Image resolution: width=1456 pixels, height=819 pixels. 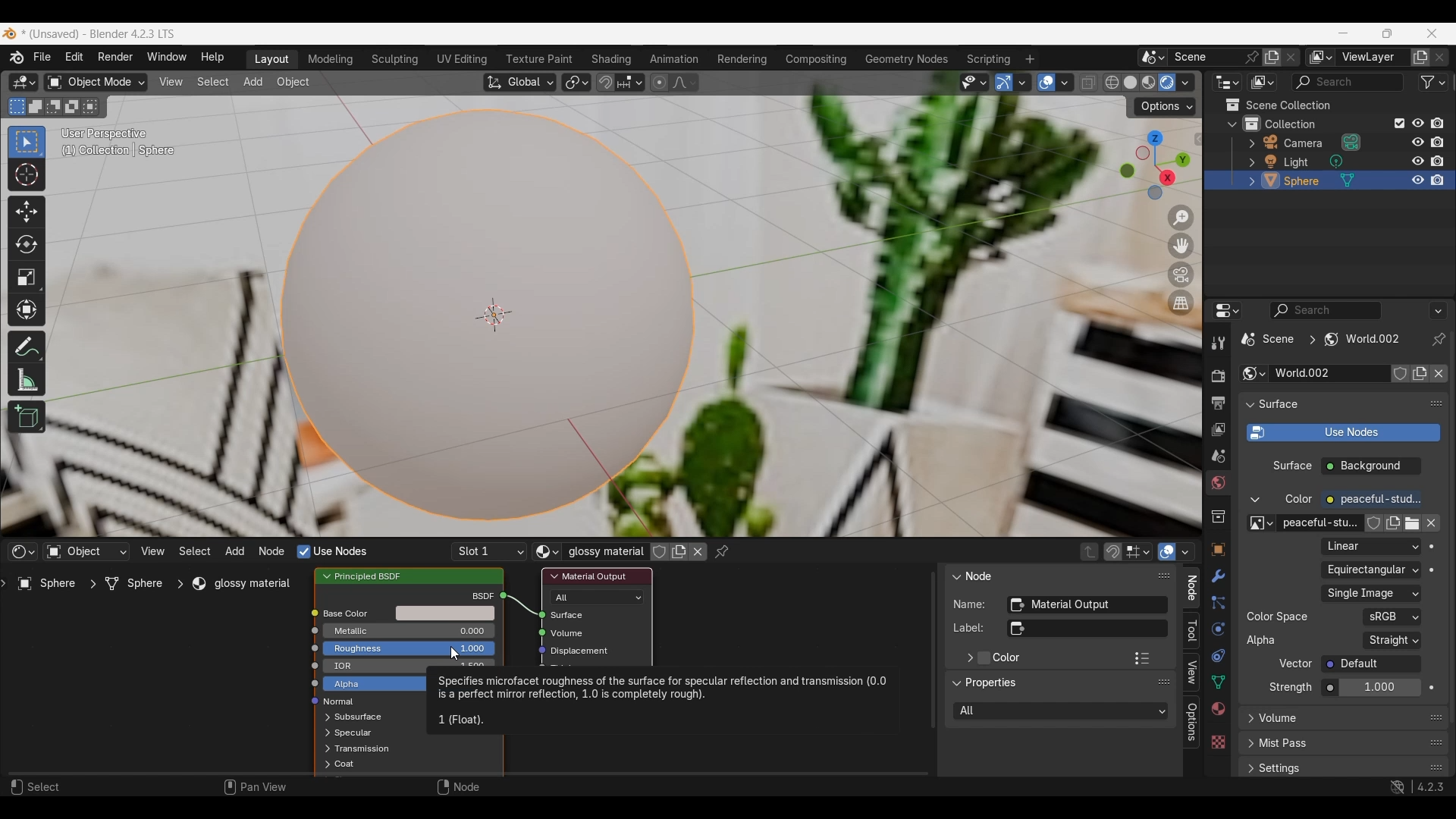 What do you see at coordinates (1392, 523) in the screenshot?
I see `Add new color` at bounding box center [1392, 523].